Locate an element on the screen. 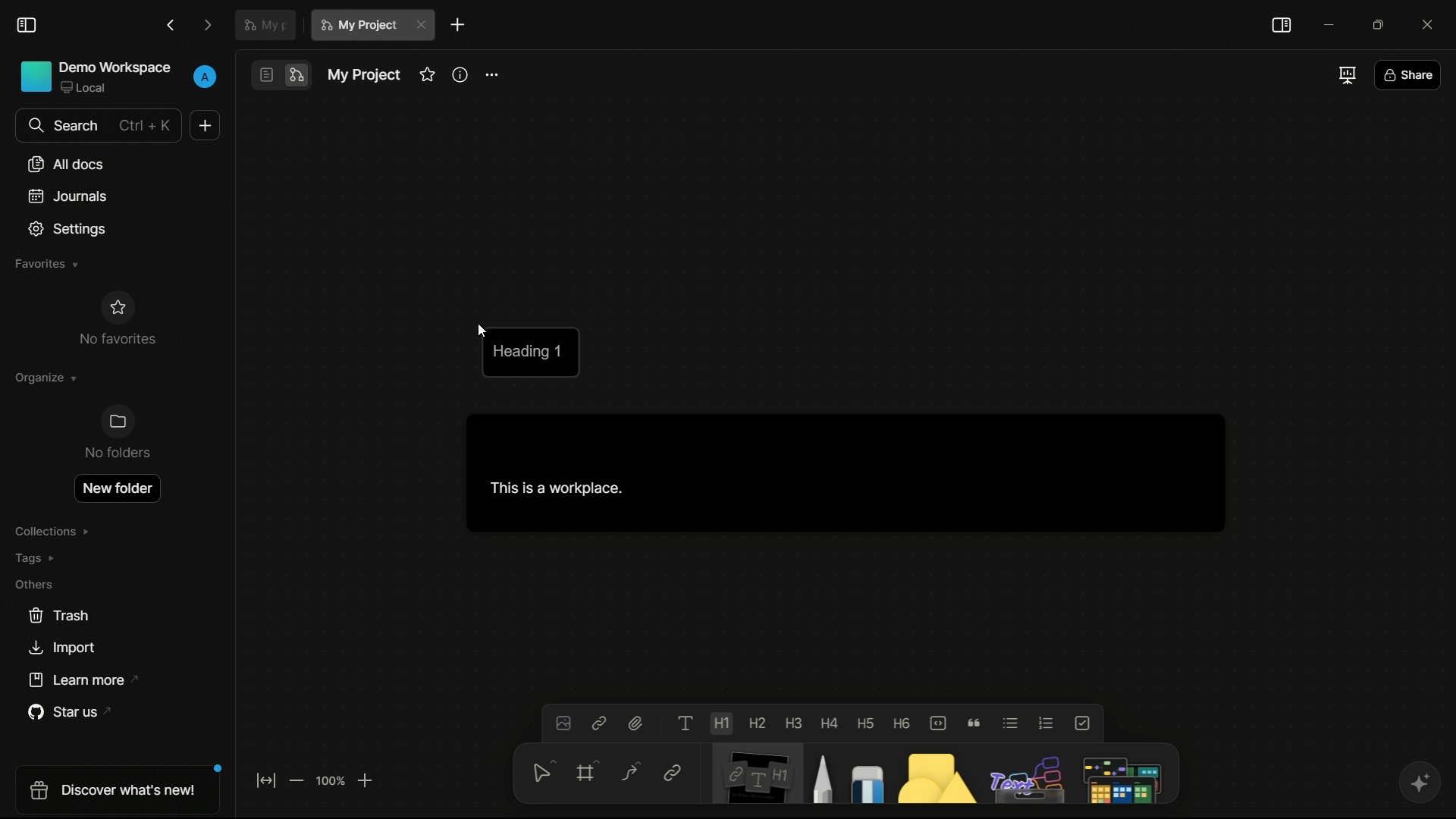 This screenshot has height=819, width=1456. heading 4 is located at coordinates (833, 717).